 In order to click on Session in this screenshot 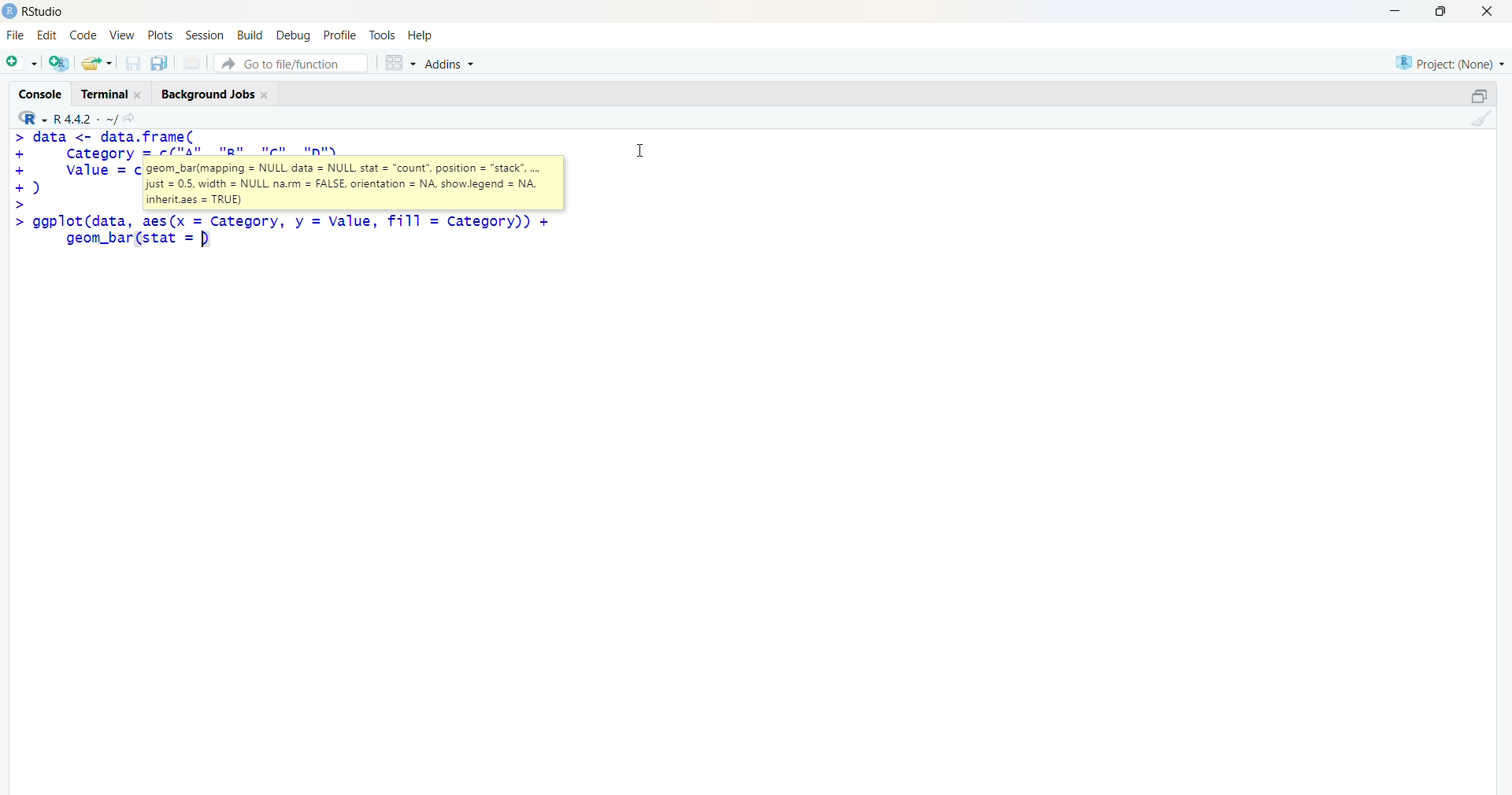, I will do `click(205, 35)`.